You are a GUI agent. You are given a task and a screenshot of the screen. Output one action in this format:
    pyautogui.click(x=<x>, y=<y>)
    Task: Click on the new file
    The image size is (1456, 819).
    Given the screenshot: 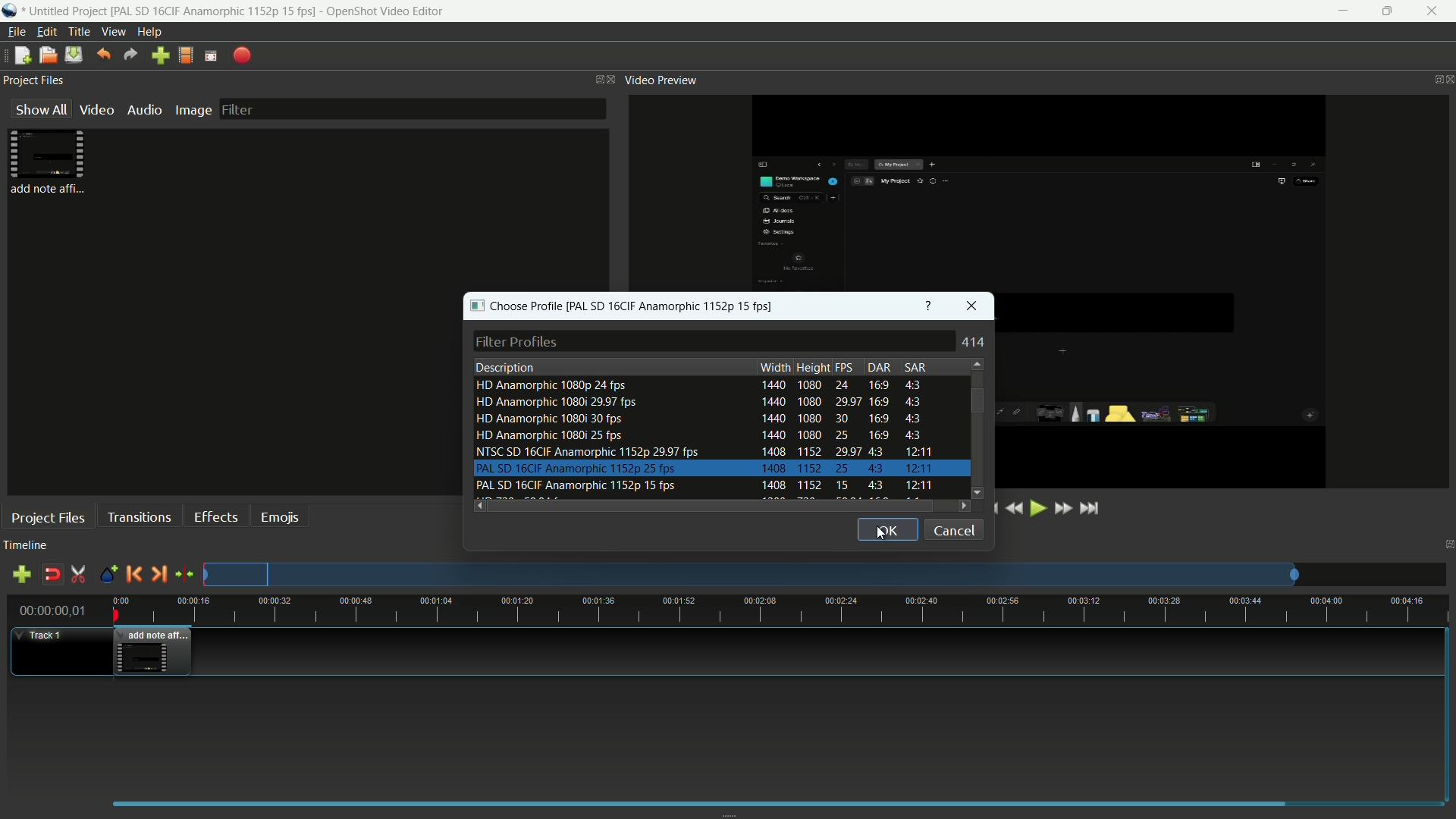 What is the action you would take?
    pyautogui.click(x=19, y=57)
    